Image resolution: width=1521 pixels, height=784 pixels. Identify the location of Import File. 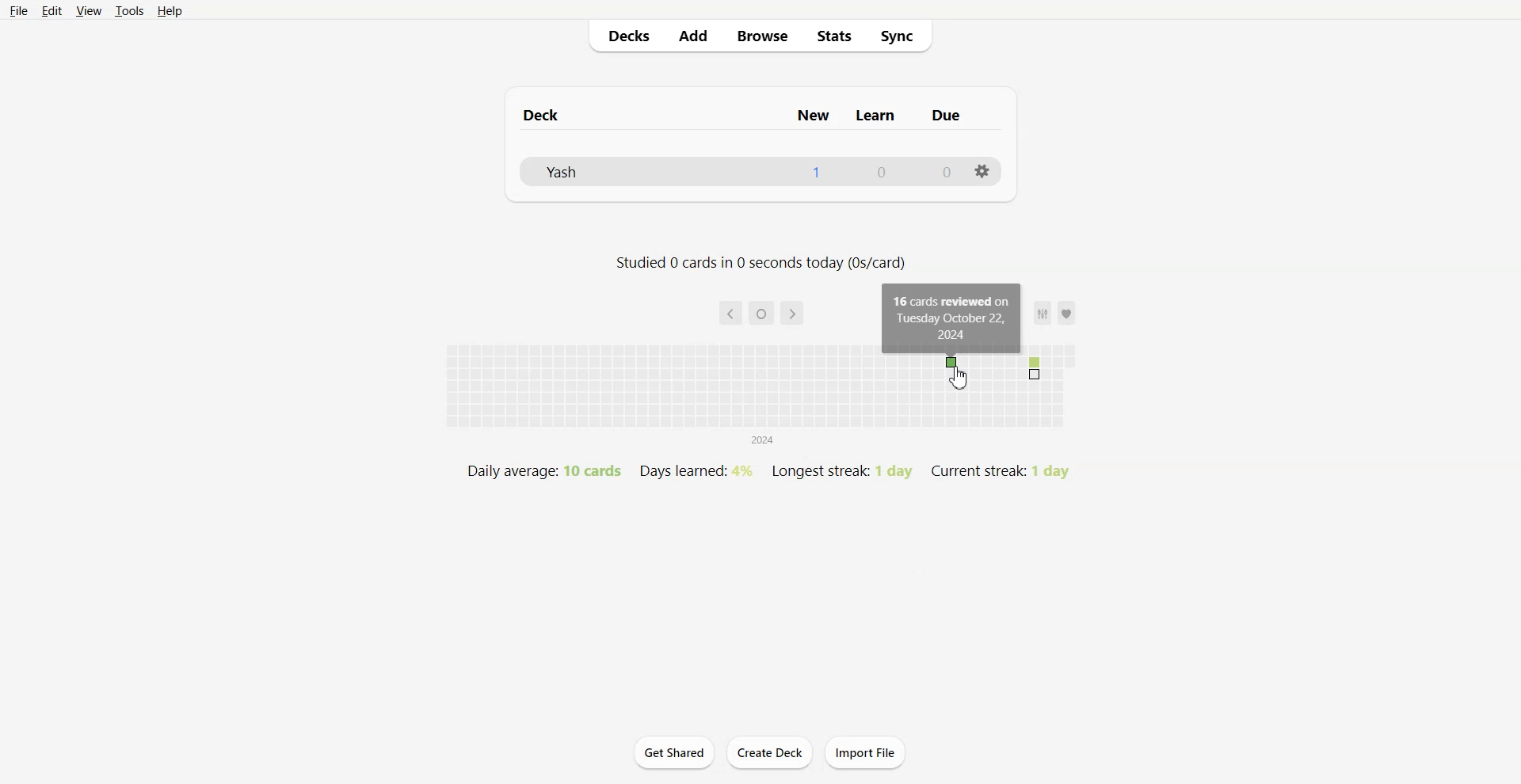
(867, 752).